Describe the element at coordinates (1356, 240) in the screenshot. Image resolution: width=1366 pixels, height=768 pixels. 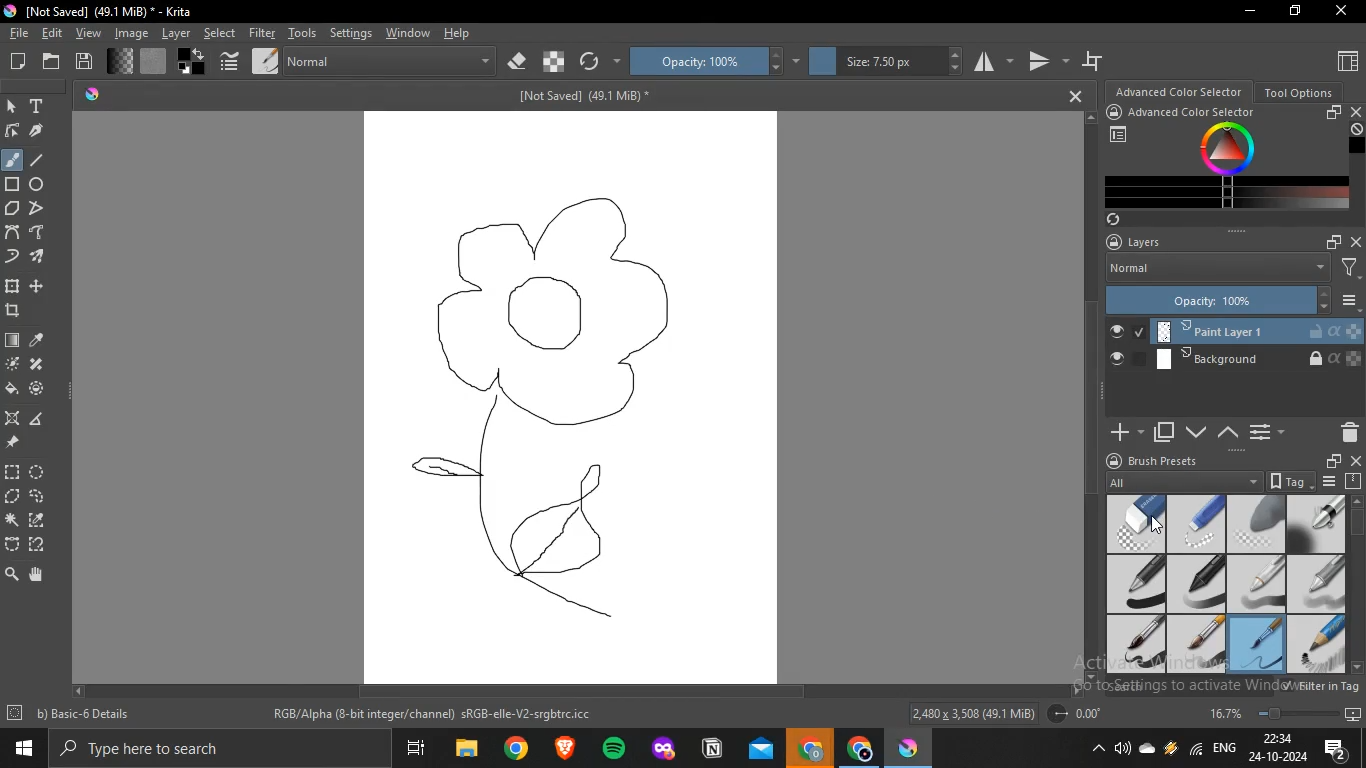
I see `close` at that location.